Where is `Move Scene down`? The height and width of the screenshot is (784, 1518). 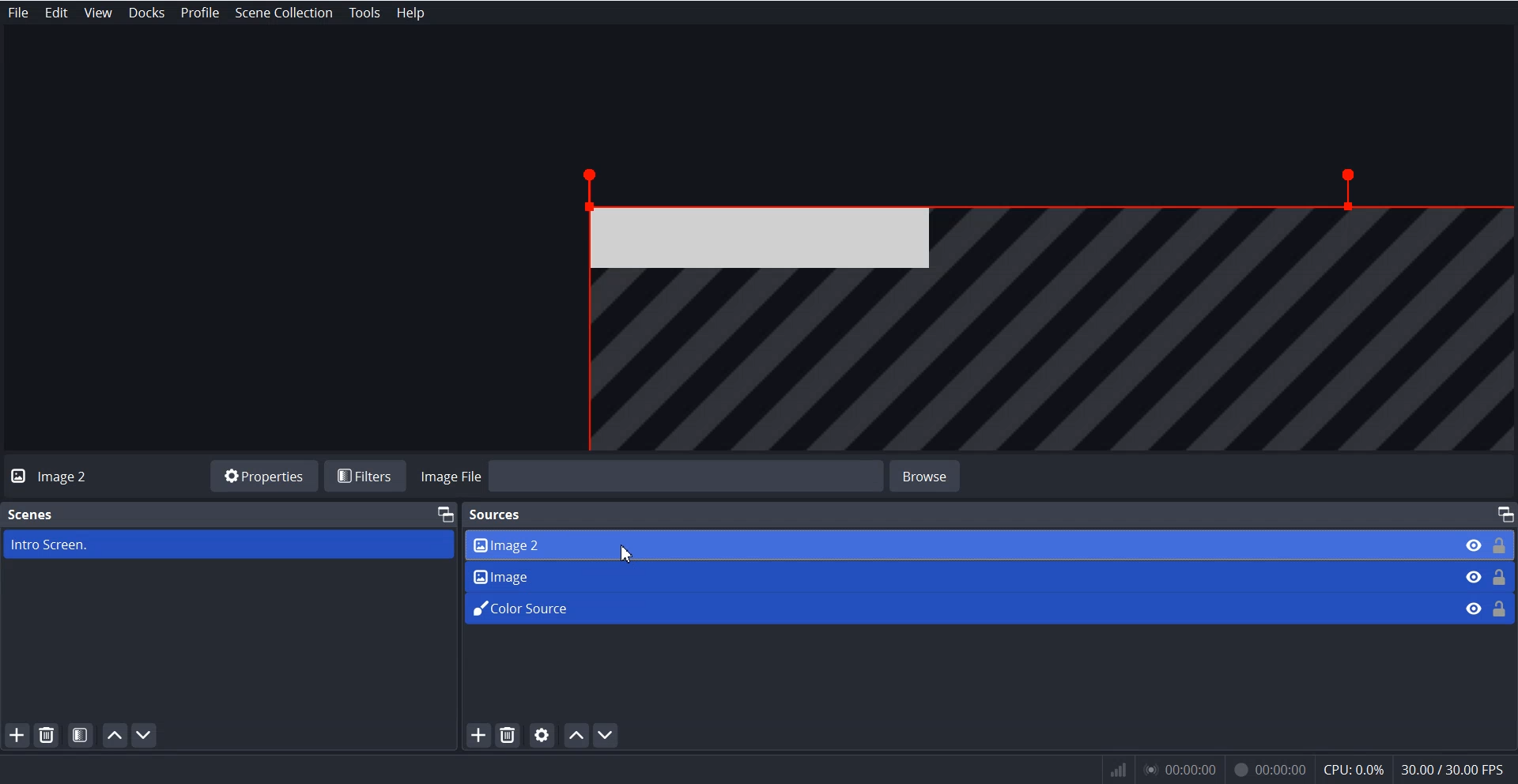
Move Scene down is located at coordinates (609, 735).